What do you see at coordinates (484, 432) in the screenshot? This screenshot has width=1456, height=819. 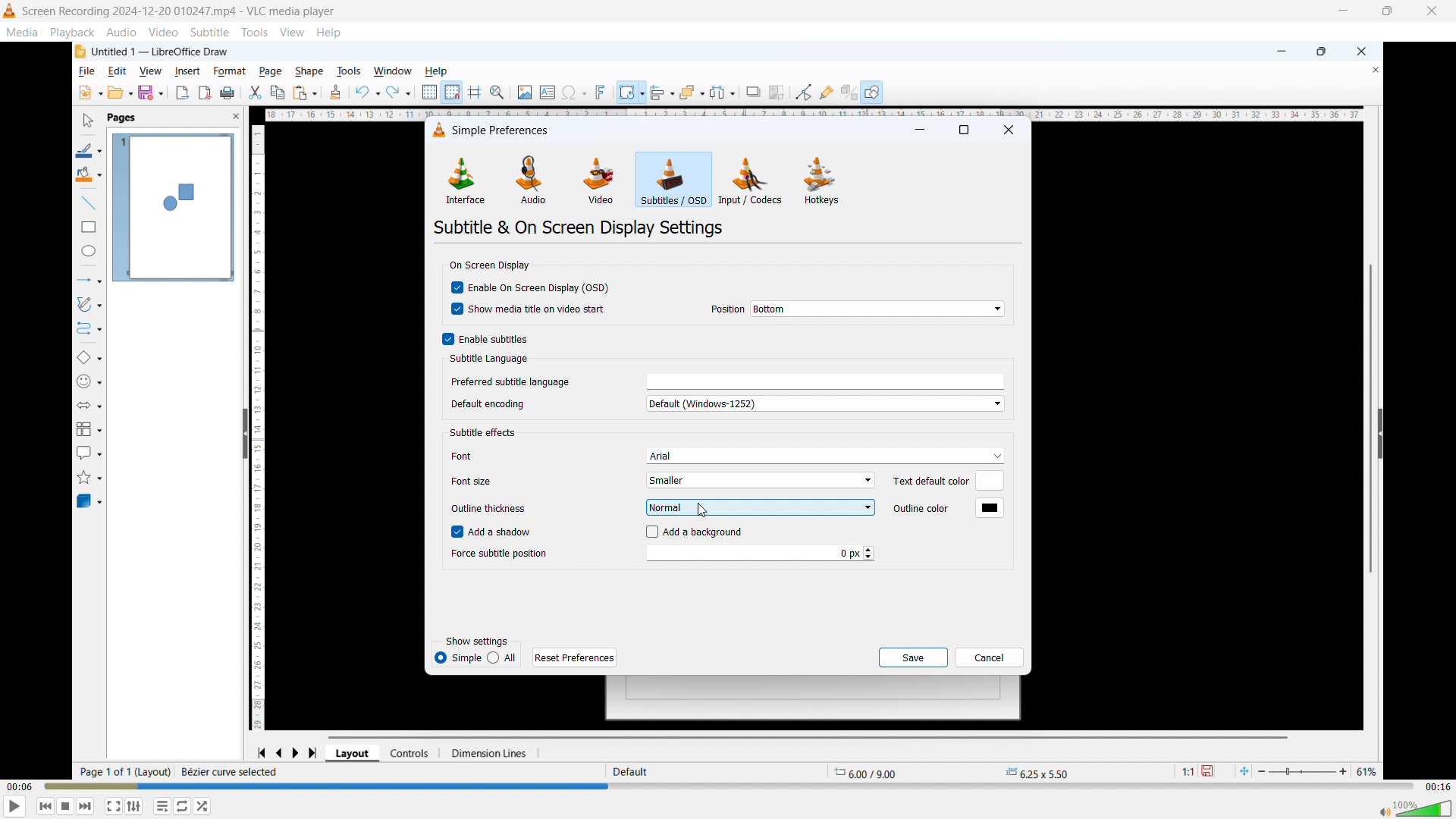 I see `Subtitle effects ` at bounding box center [484, 432].